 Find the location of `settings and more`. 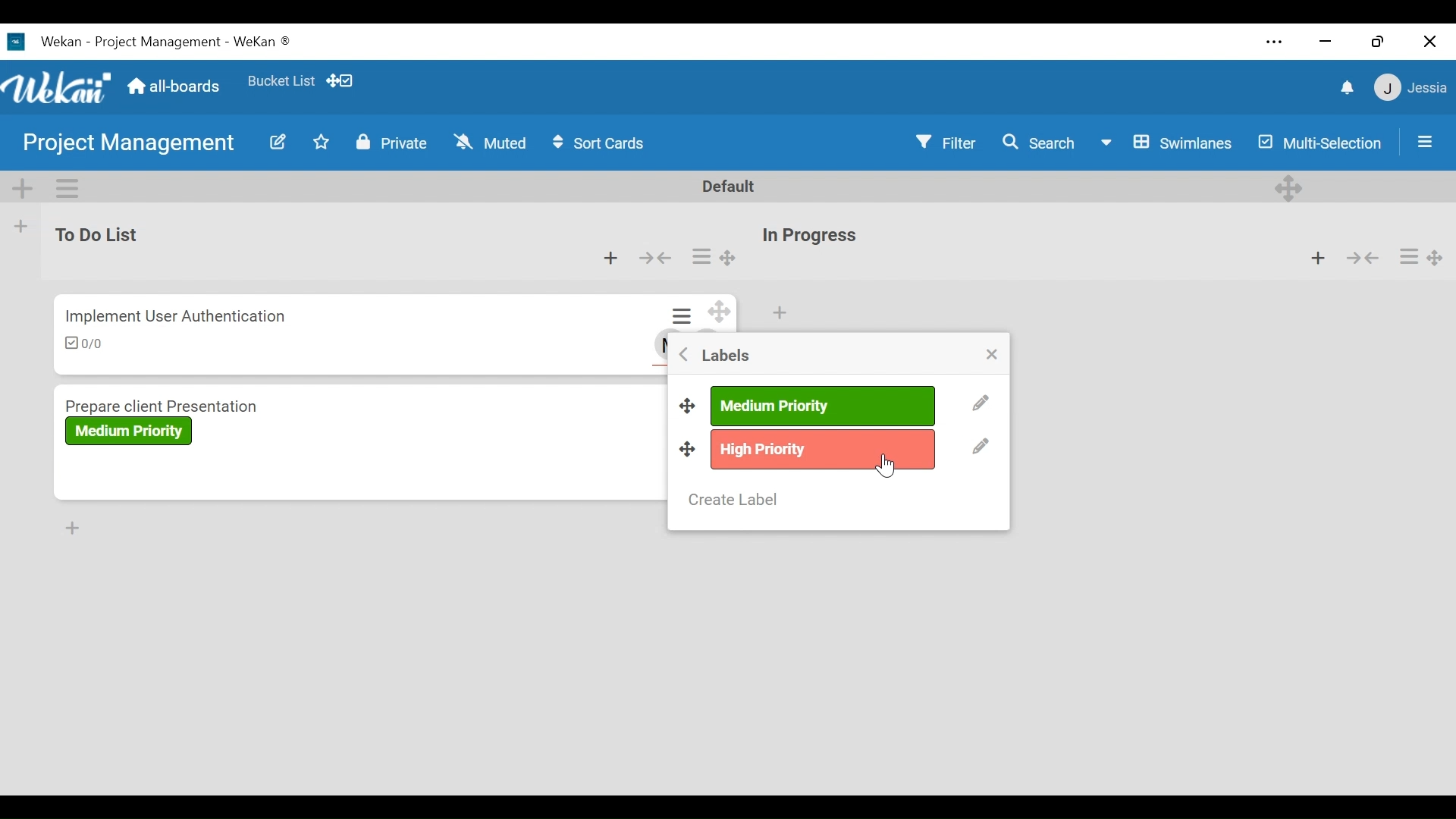

settings and more is located at coordinates (1273, 42).